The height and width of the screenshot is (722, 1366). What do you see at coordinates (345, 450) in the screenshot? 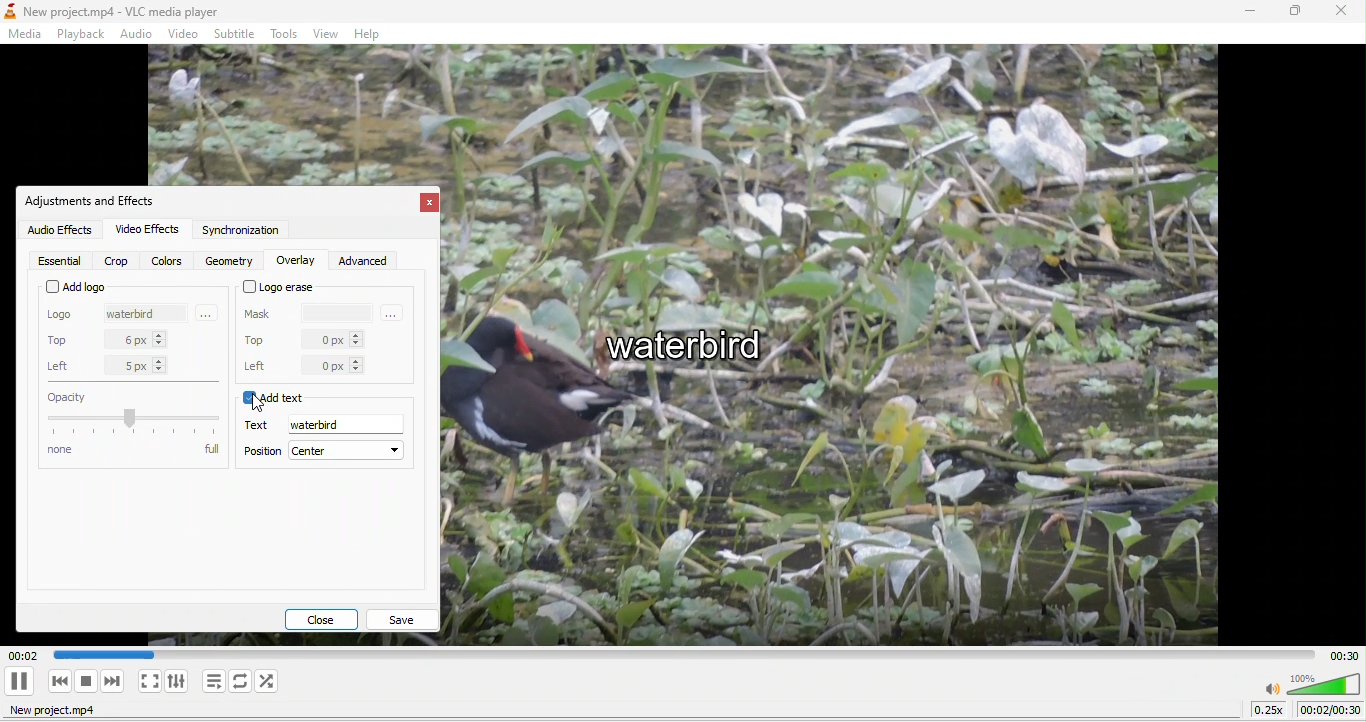
I see `center` at bounding box center [345, 450].